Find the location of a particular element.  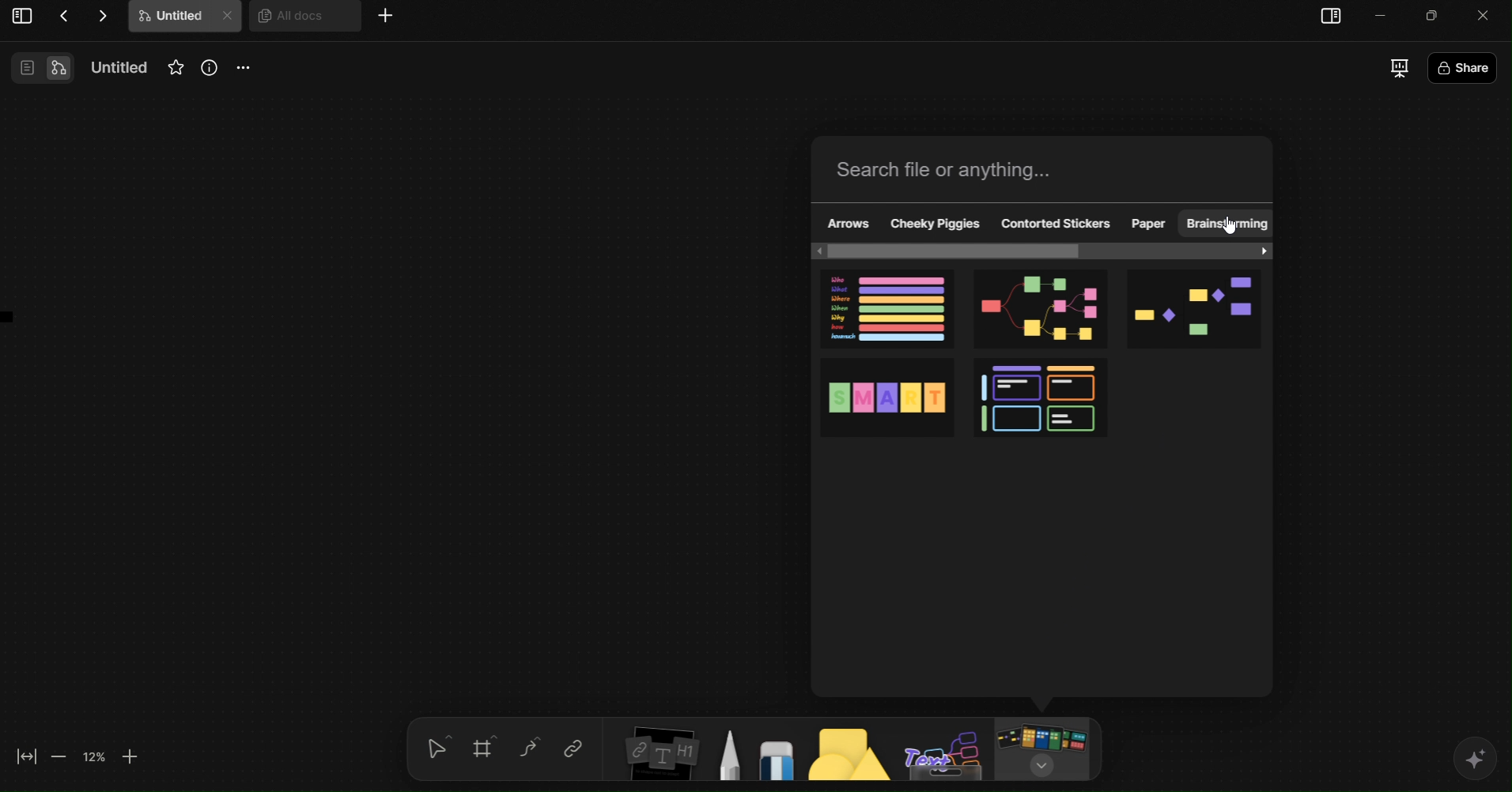

sidebar is located at coordinates (1333, 17).